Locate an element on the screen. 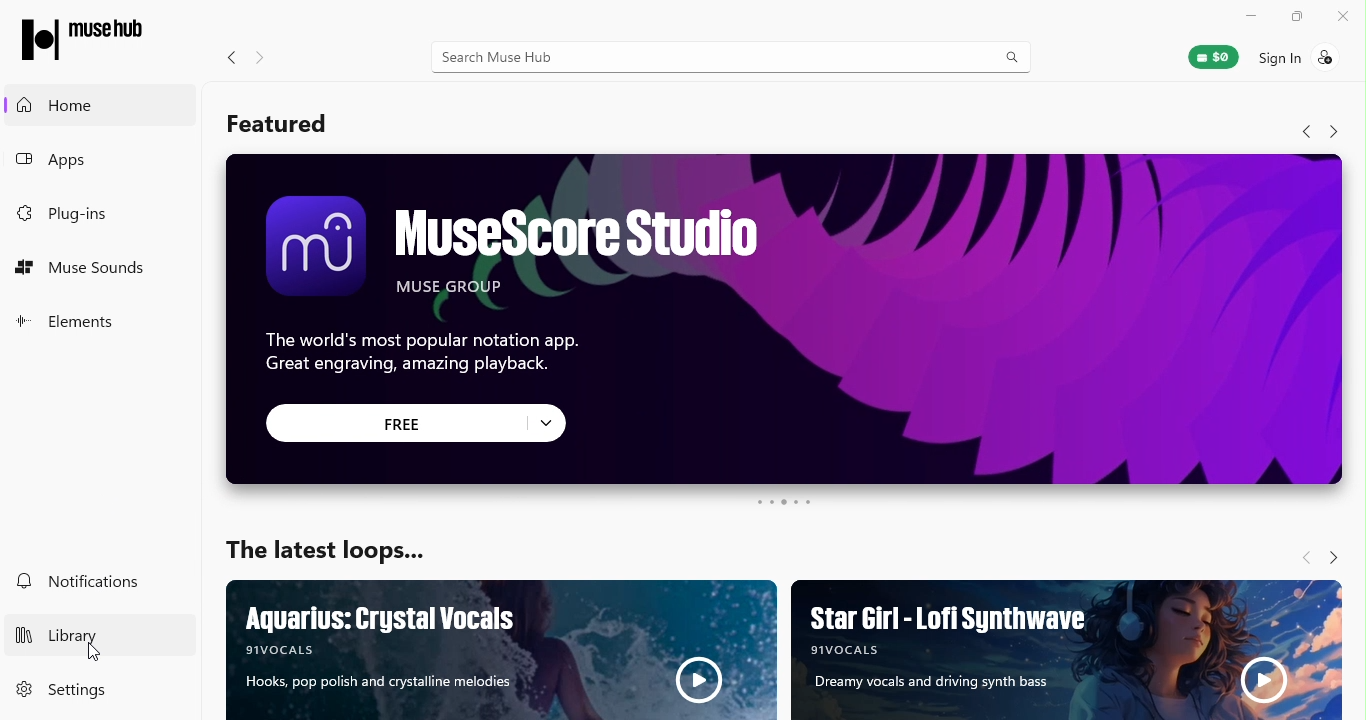 This screenshot has width=1366, height=720. Settings is located at coordinates (63, 693).